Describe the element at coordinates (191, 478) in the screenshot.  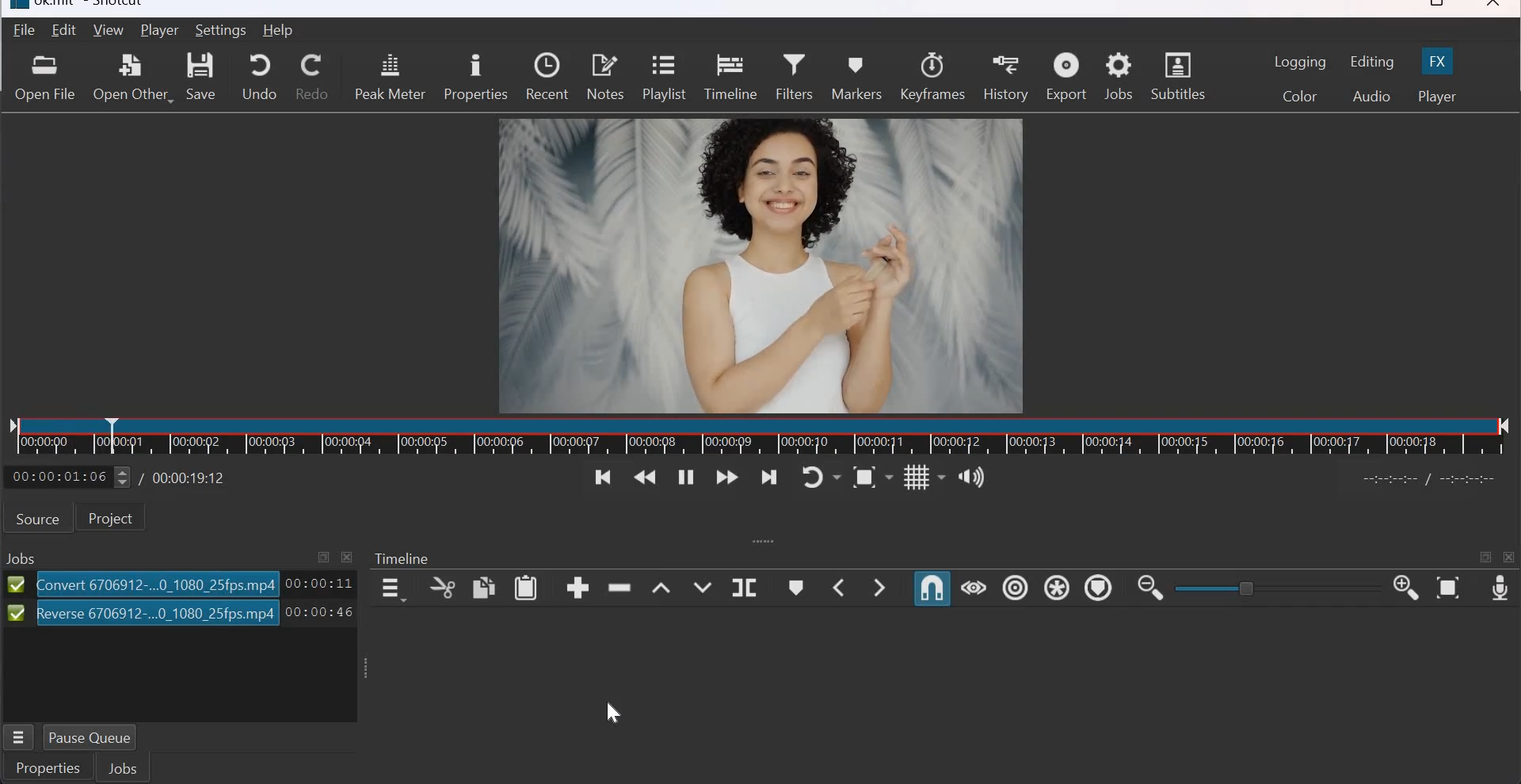
I see `Total duration` at that location.